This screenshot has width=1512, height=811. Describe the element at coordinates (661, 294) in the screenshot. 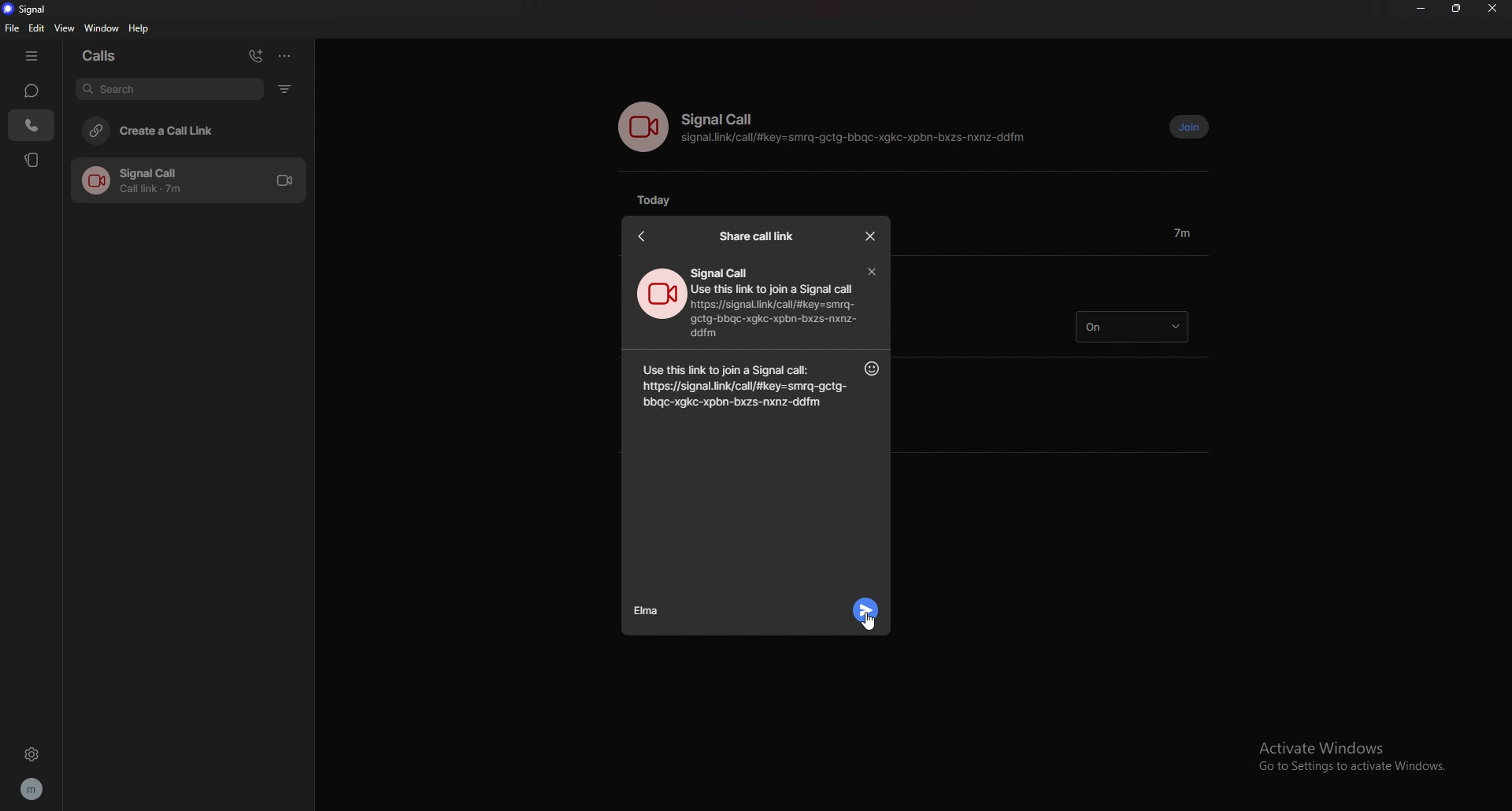

I see `call image` at that location.